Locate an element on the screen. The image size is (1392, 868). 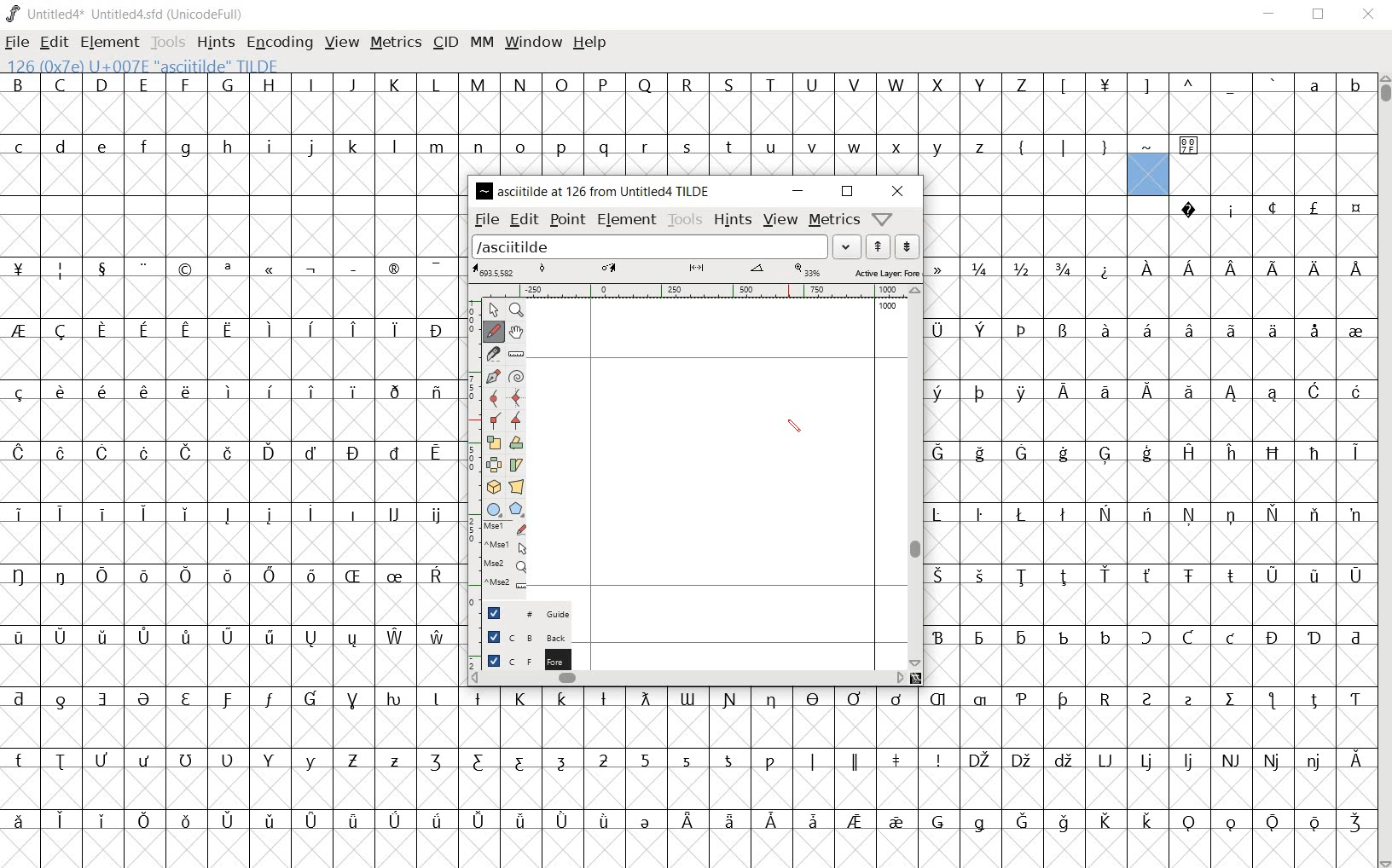
Rotate the selection is located at coordinates (516, 465).